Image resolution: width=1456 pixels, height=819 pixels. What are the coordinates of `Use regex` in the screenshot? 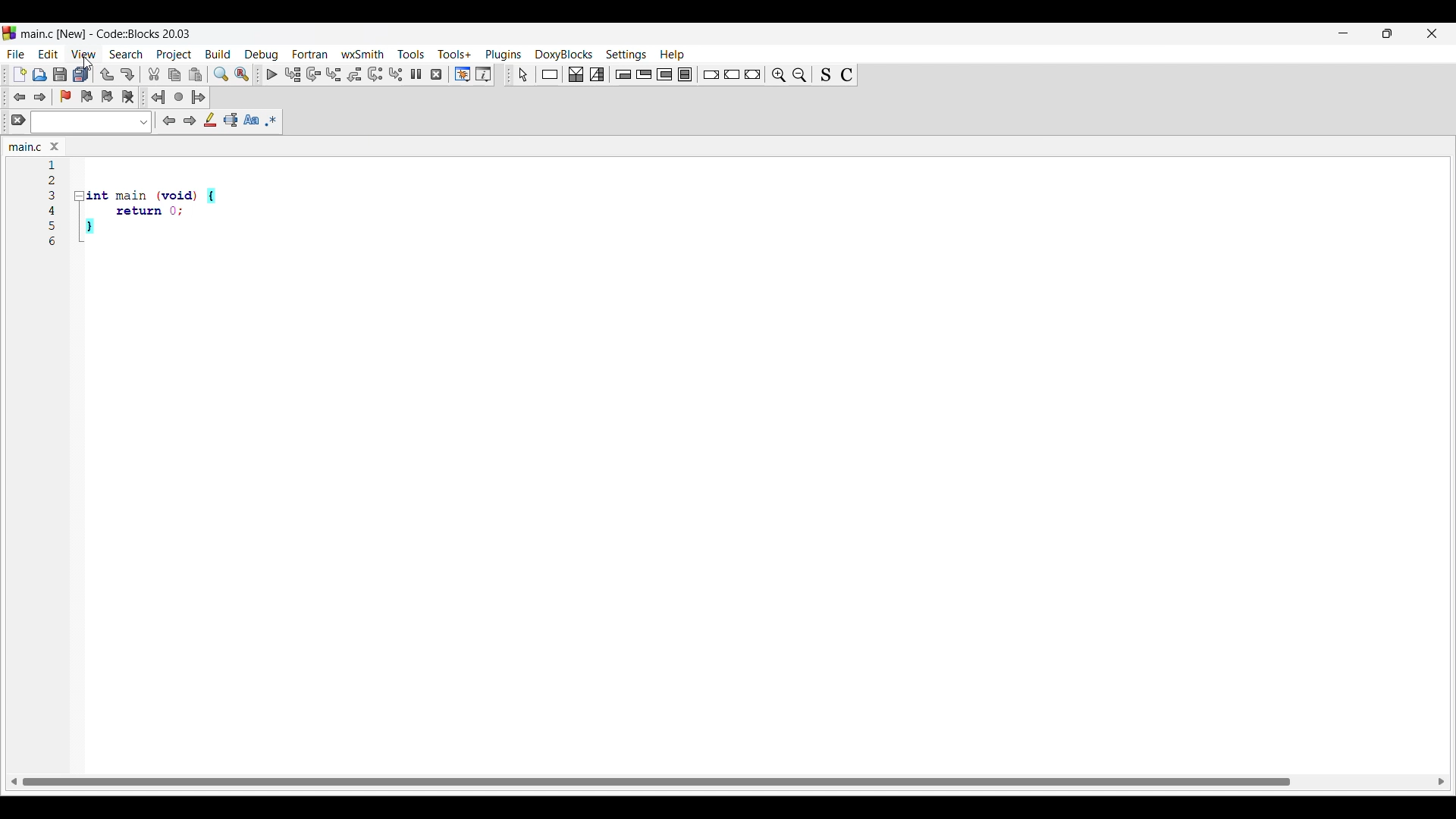 It's located at (271, 121).